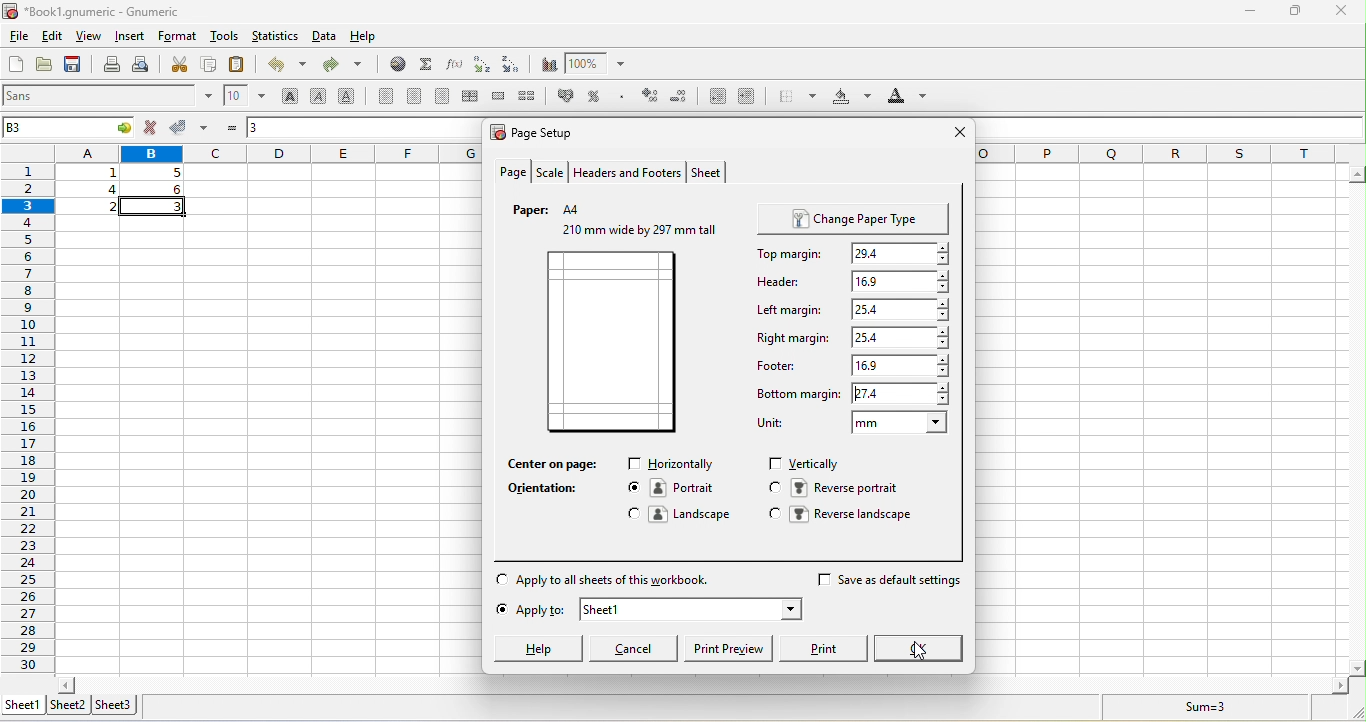 The image size is (1366, 722). I want to click on view, so click(90, 37).